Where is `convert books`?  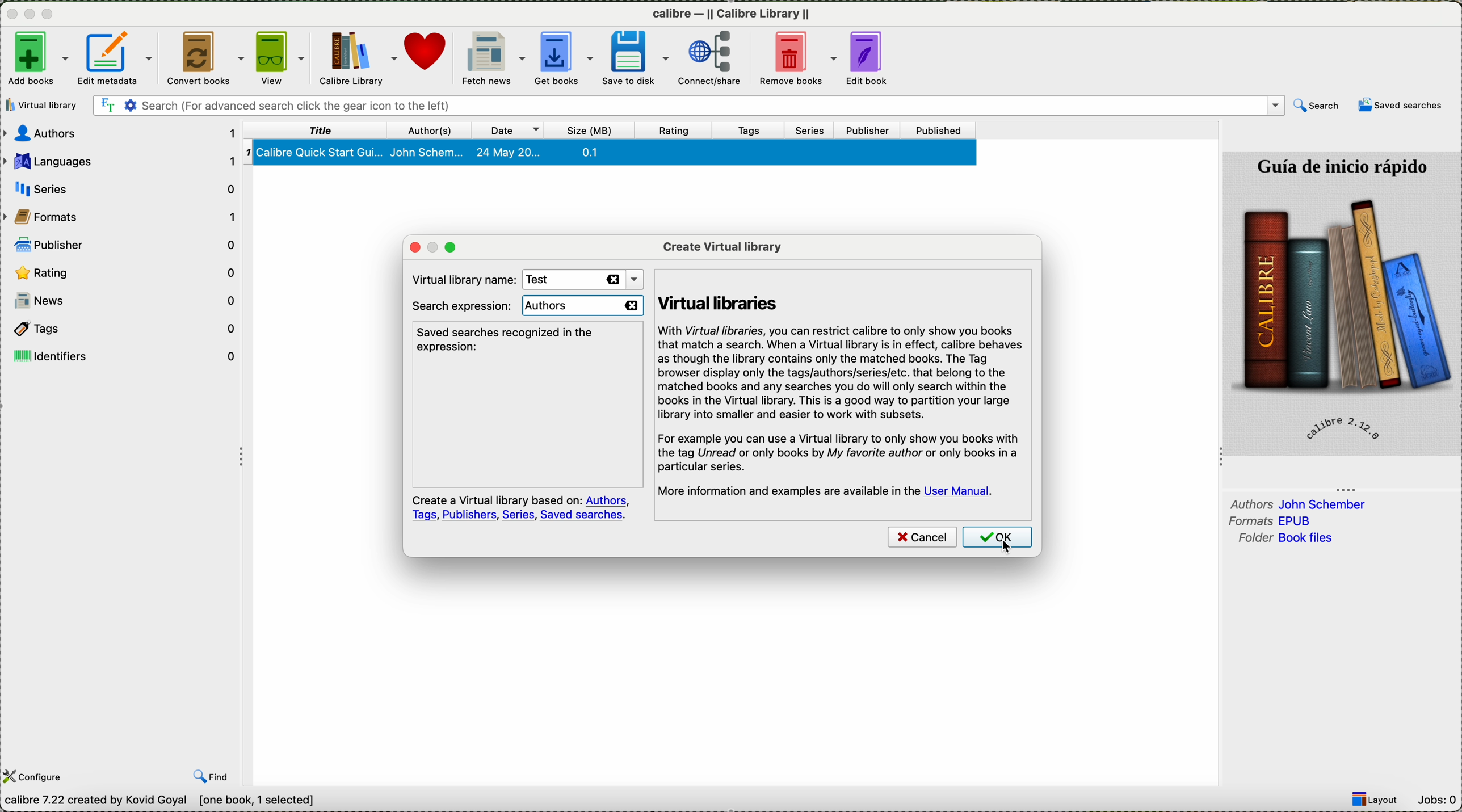
convert books is located at coordinates (205, 58).